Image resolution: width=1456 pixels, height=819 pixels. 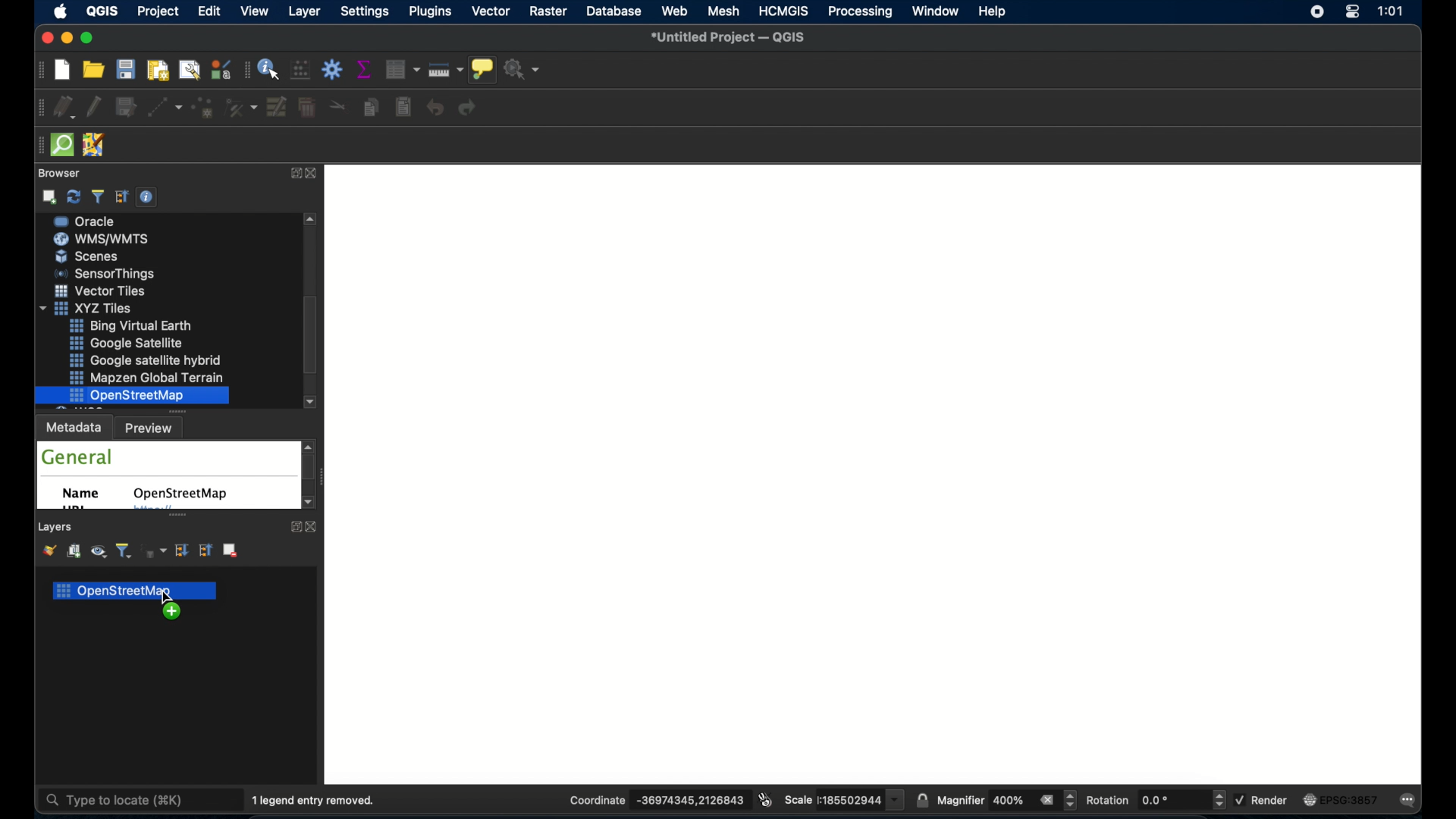 I want to click on add selected layer, so click(x=50, y=197).